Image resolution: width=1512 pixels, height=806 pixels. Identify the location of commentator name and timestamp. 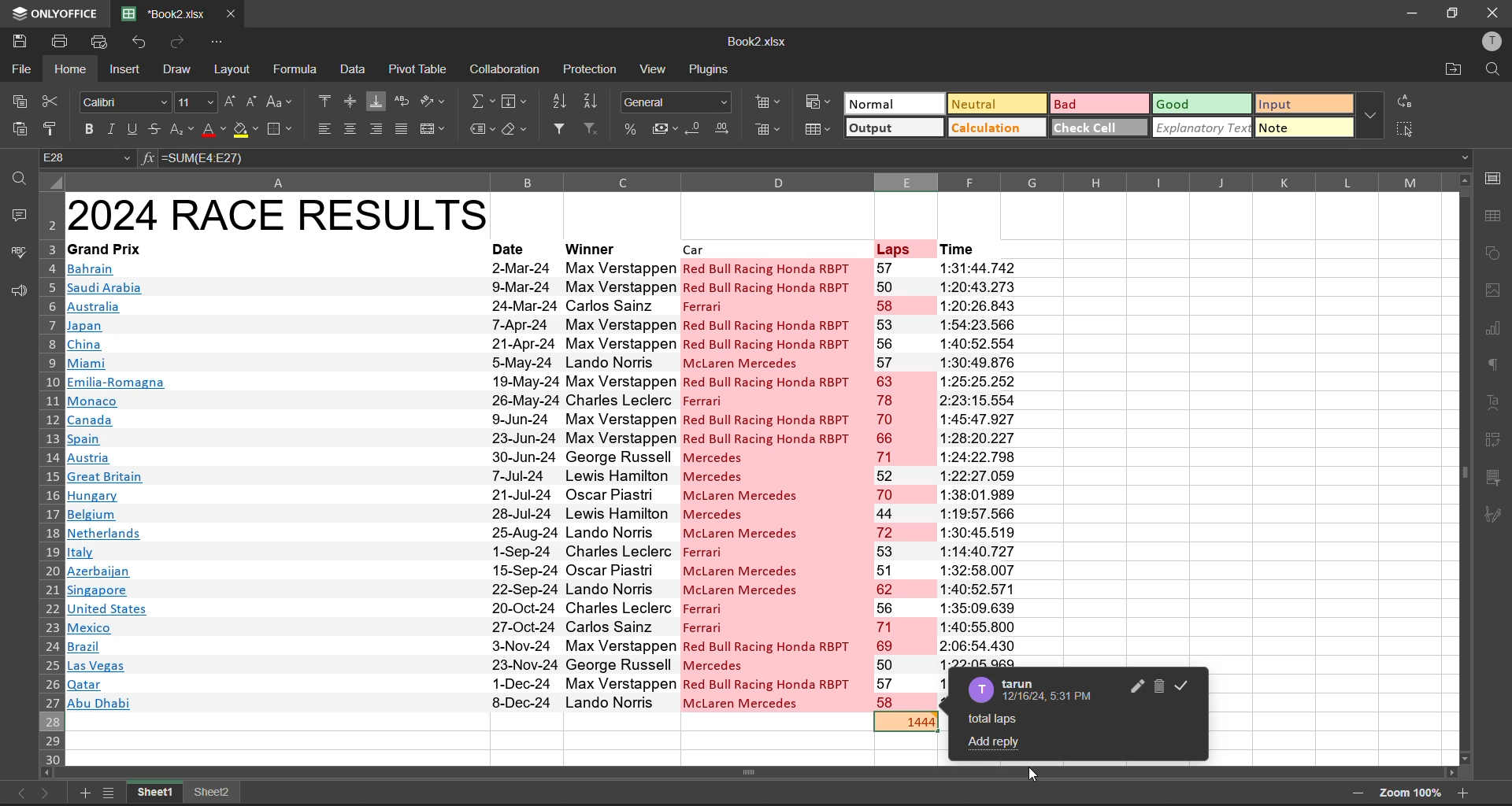
(1046, 690).